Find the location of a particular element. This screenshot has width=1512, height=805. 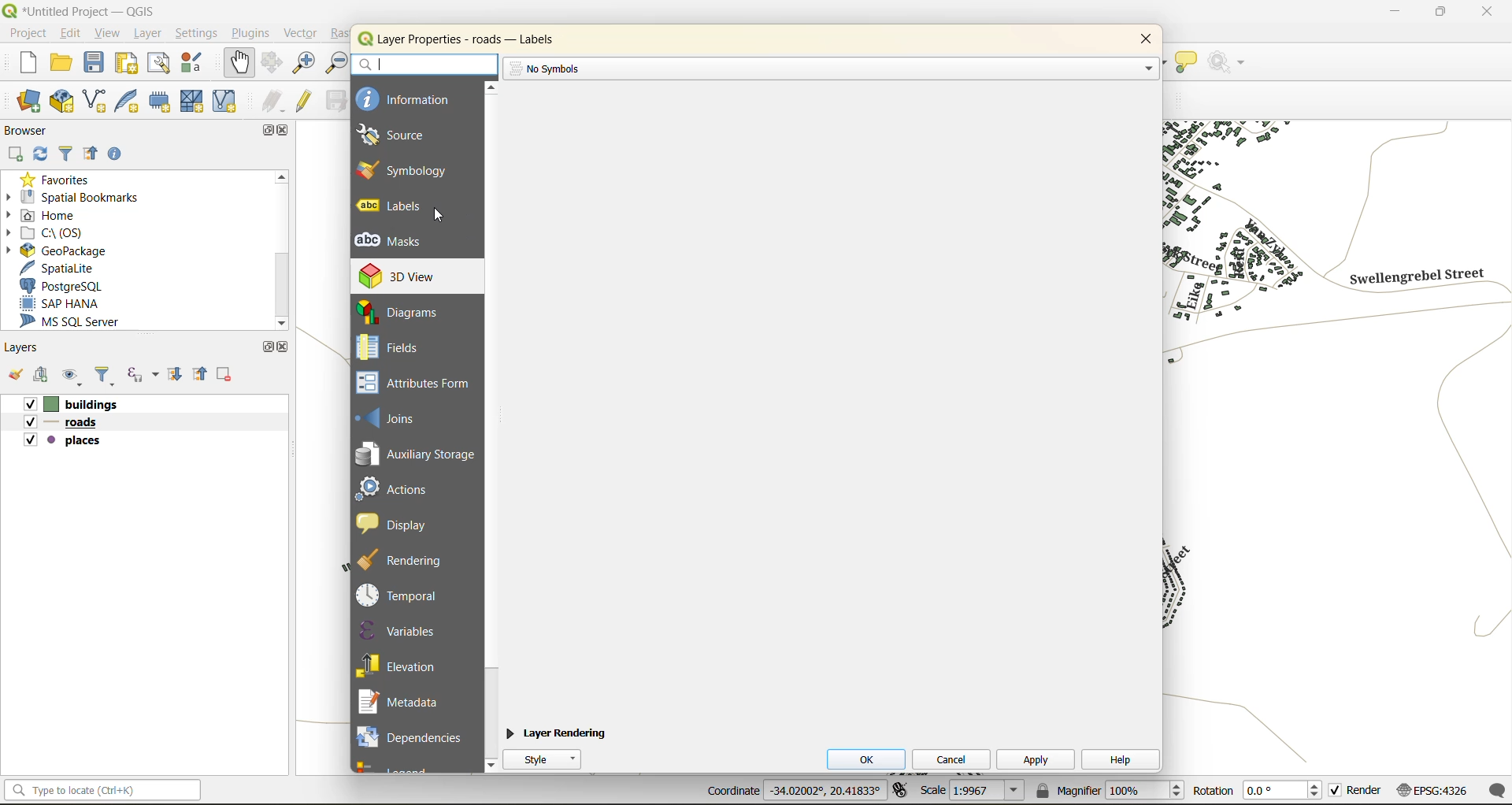

close is located at coordinates (286, 132).